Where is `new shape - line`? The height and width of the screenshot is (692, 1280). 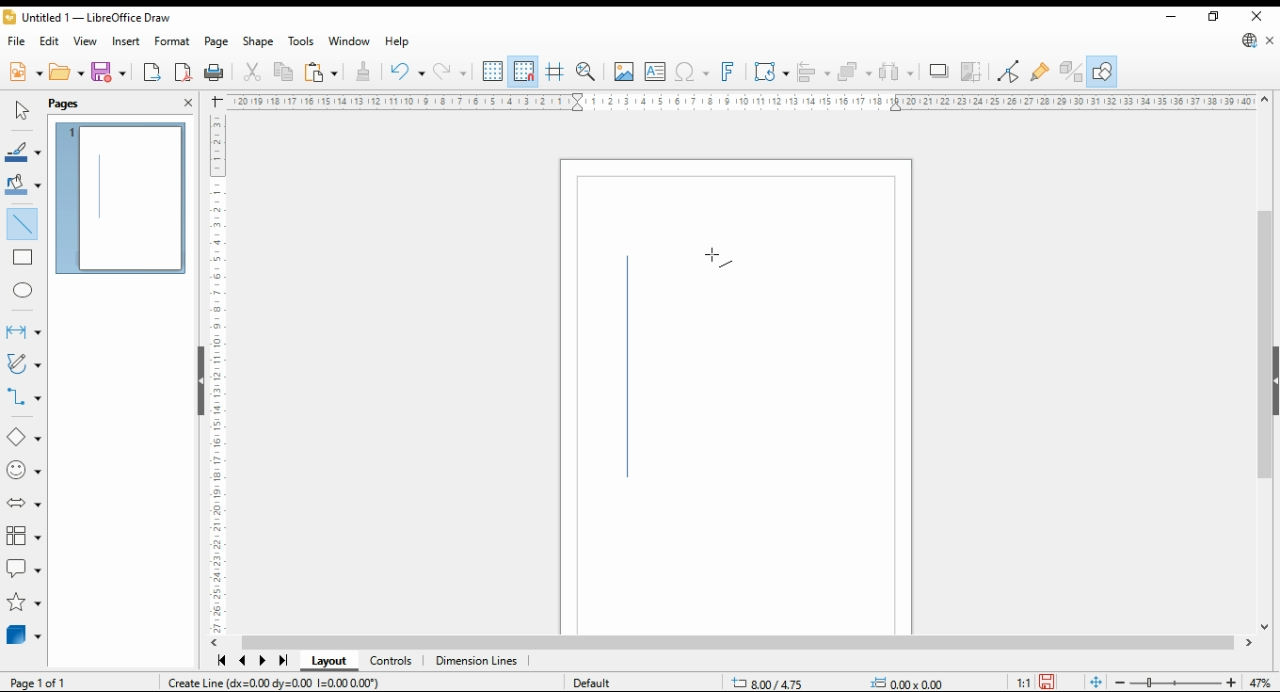 new shape - line is located at coordinates (632, 373).